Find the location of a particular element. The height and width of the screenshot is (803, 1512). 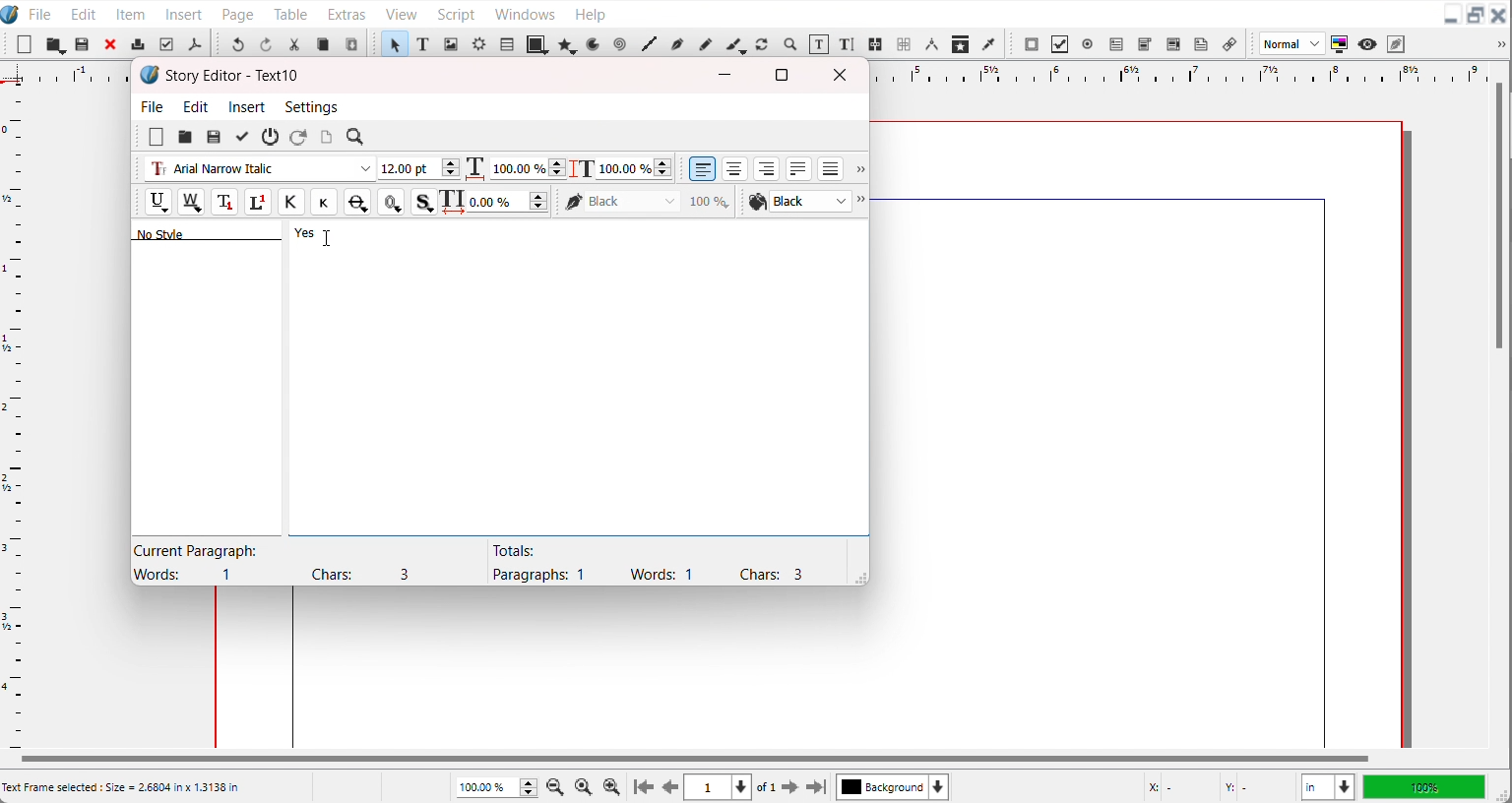

Measurements in inches is located at coordinates (1328, 787).